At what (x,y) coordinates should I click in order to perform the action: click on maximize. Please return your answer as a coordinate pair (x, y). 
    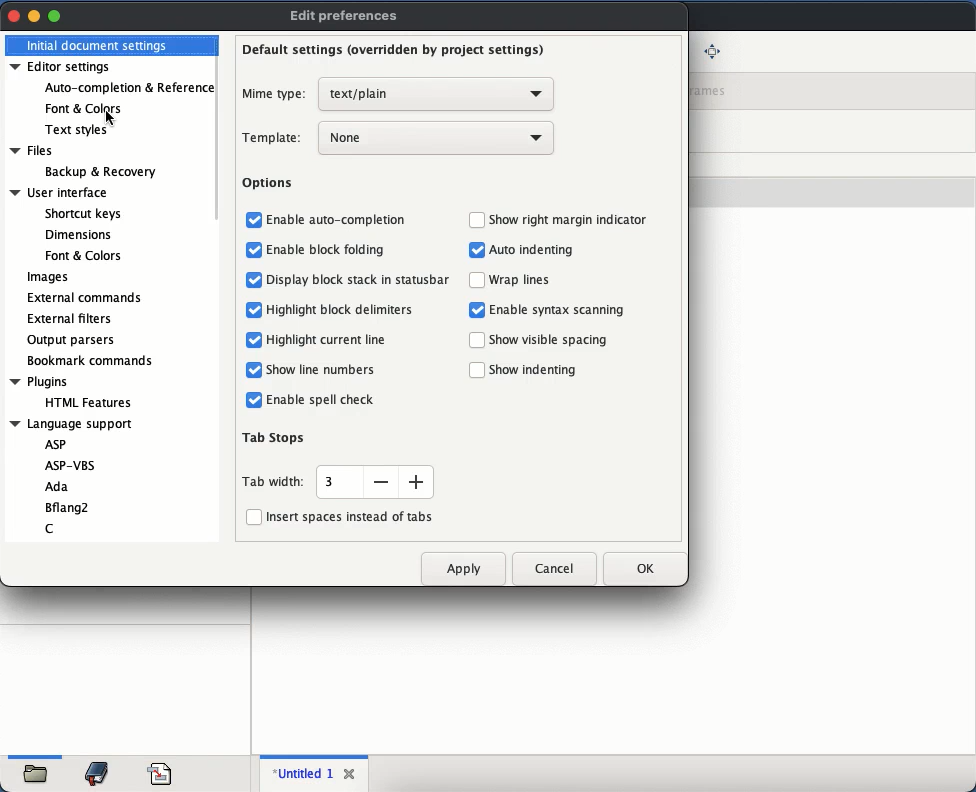
    Looking at the image, I should click on (56, 15).